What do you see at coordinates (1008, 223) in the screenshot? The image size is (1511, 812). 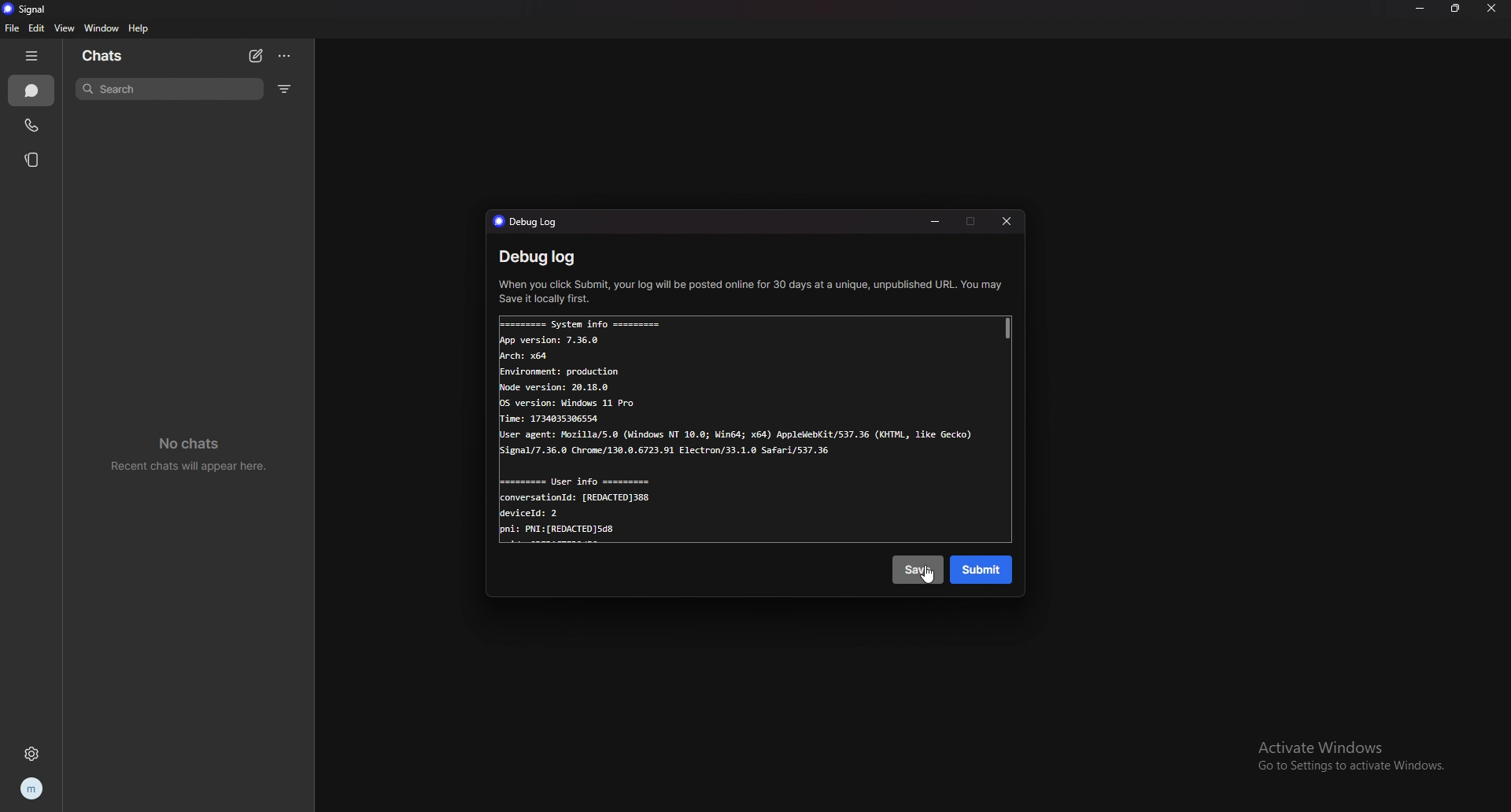 I see `close` at bounding box center [1008, 223].